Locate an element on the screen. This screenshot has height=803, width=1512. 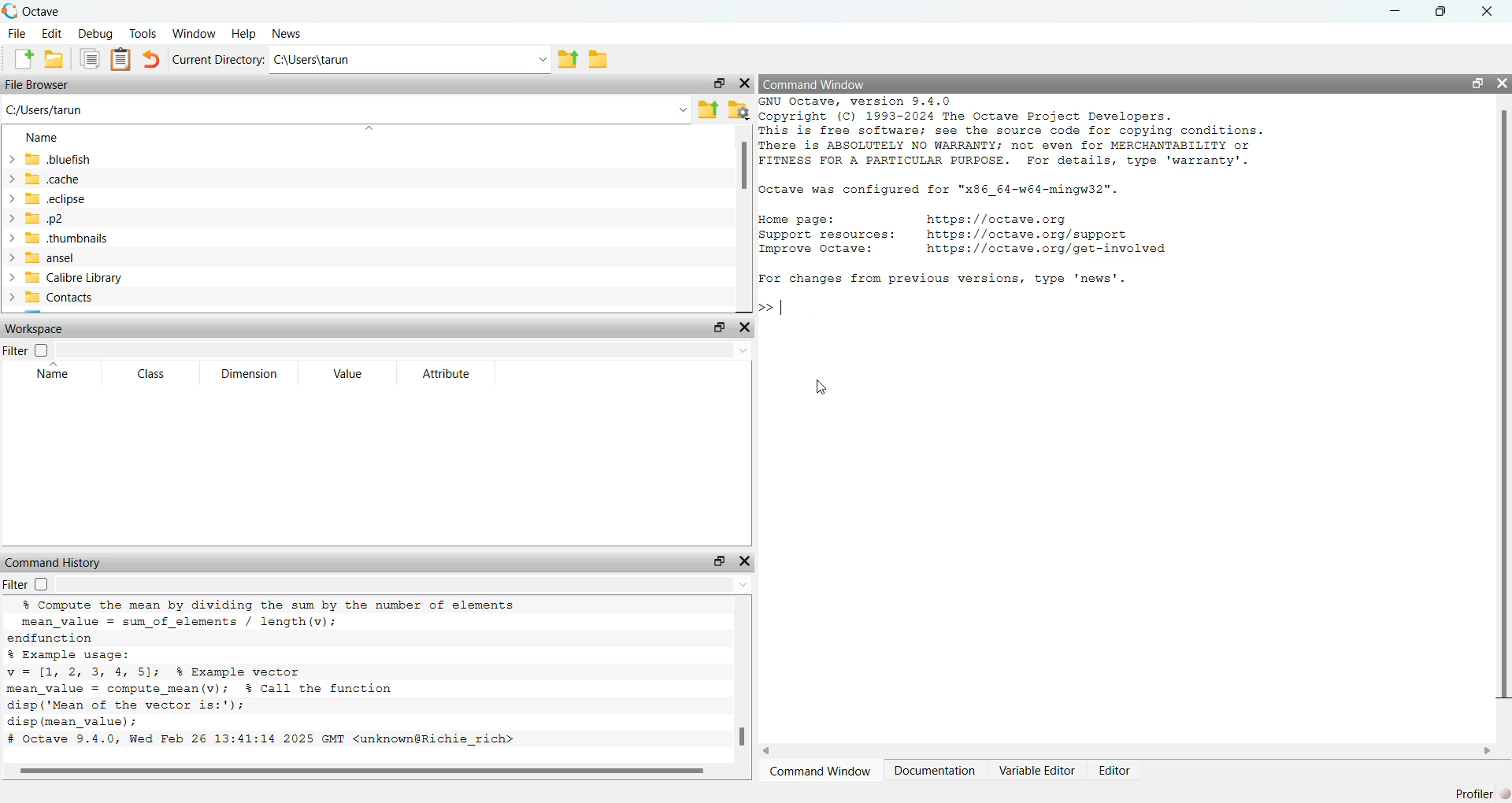
Variable Editor is located at coordinates (1038, 770).